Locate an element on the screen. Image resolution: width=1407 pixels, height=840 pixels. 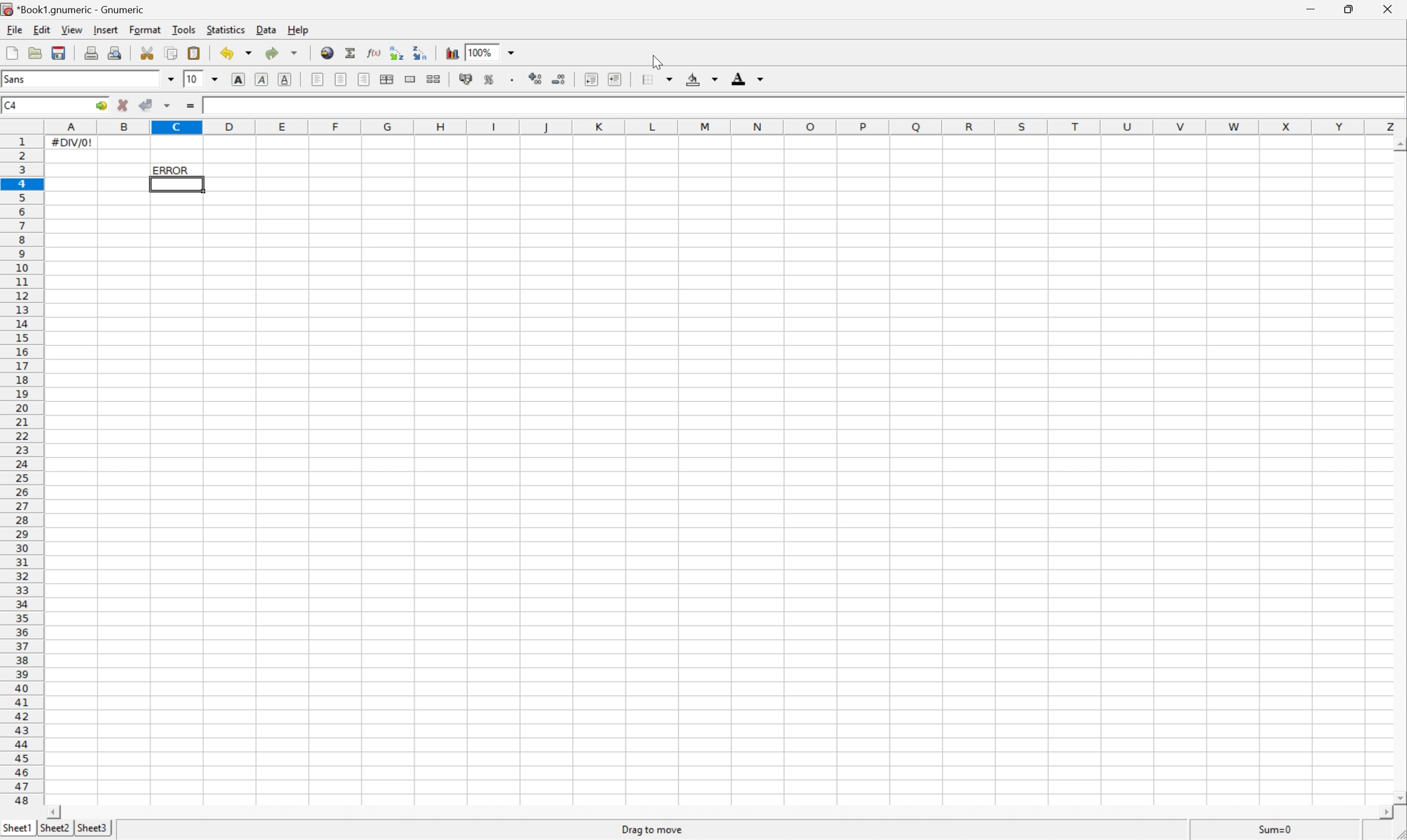
Accept change in multiple cells is located at coordinates (169, 106).